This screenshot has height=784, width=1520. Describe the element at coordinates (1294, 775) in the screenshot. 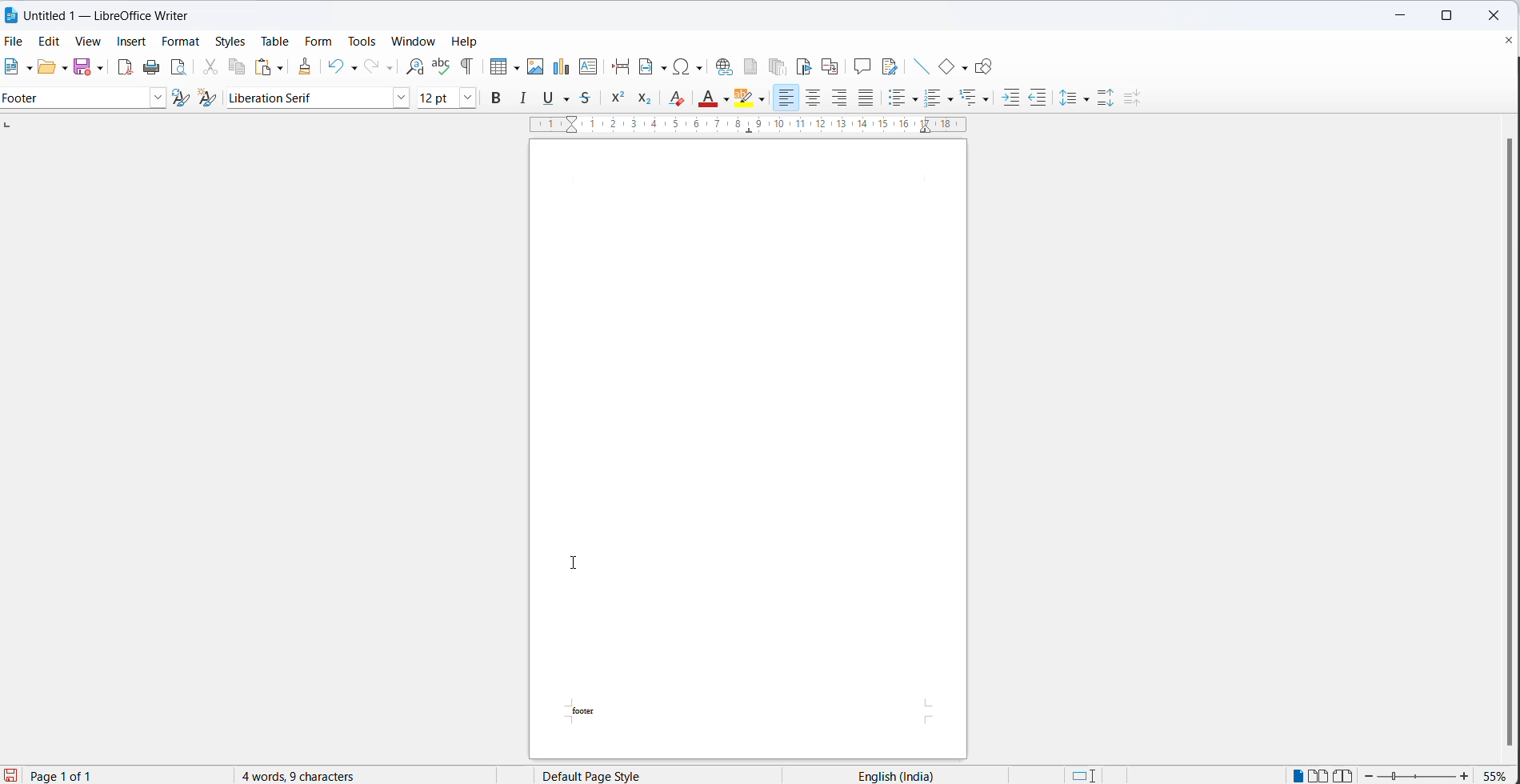

I see `single page view` at that location.